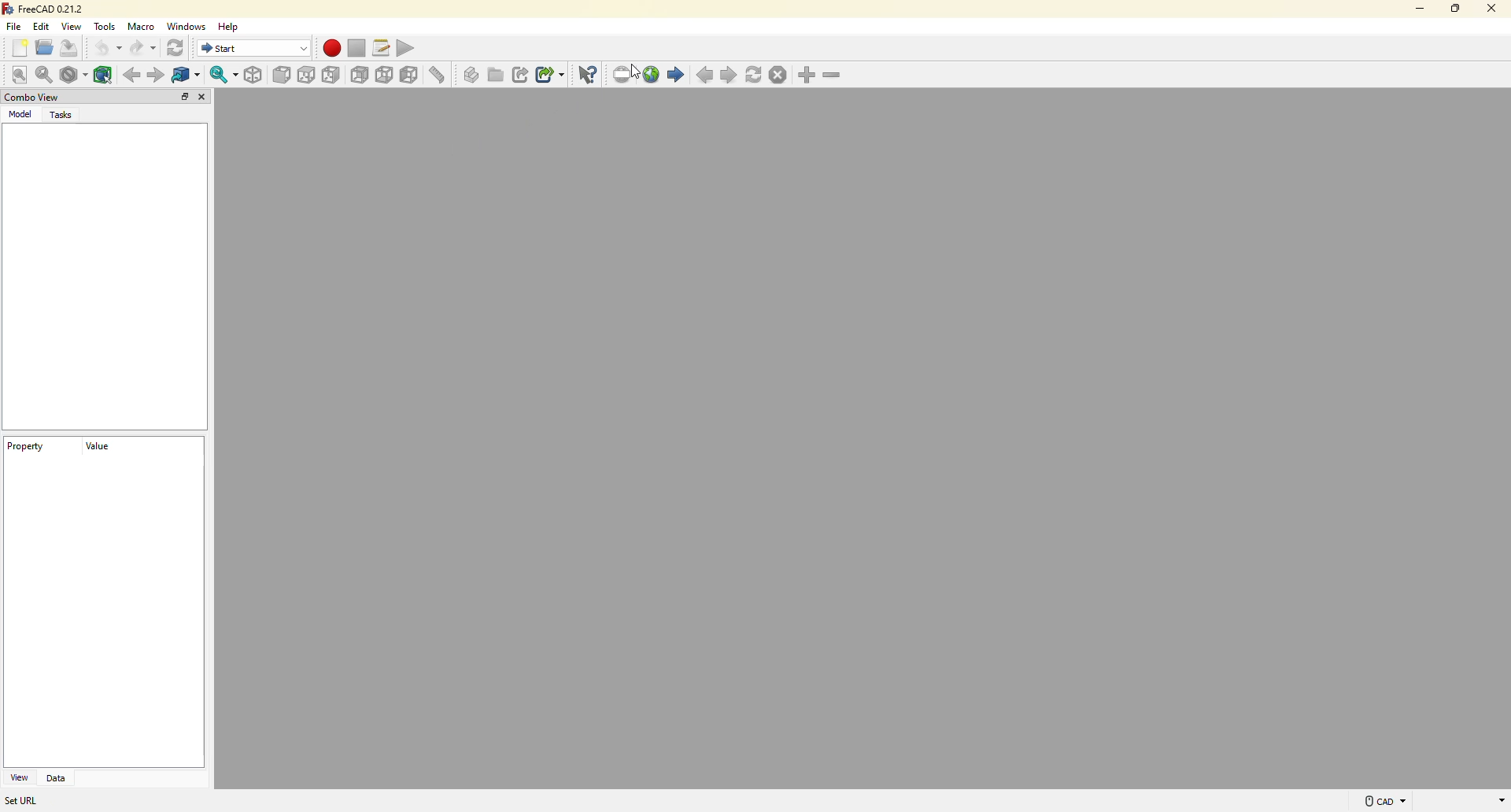 The width and height of the screenshot is (1511, 812). What do you see at coordinates (1462, 802) in the screenshot?
I see `area gone` at bounding box center [1462, 802].